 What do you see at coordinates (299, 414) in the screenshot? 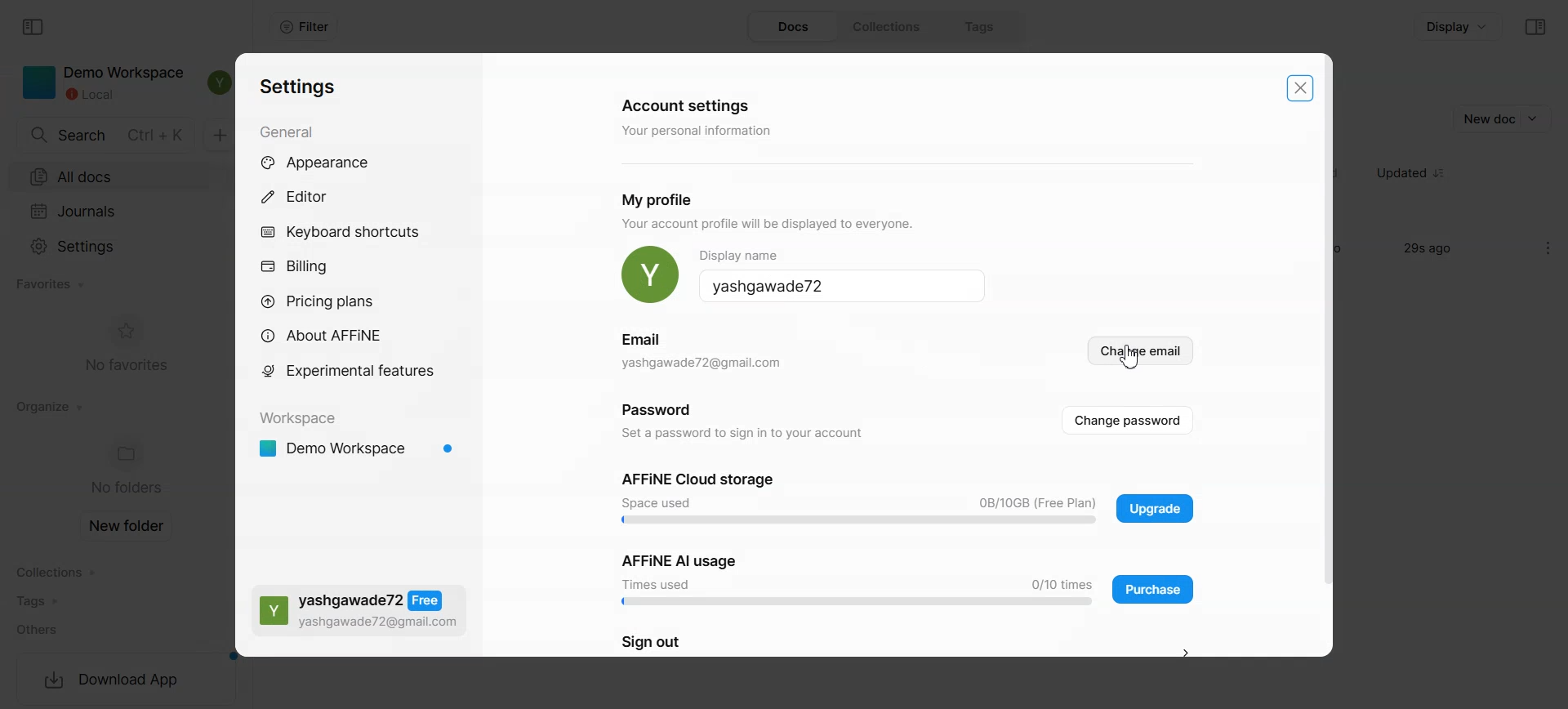
I see `workspace` at bounding box center [299, 414].